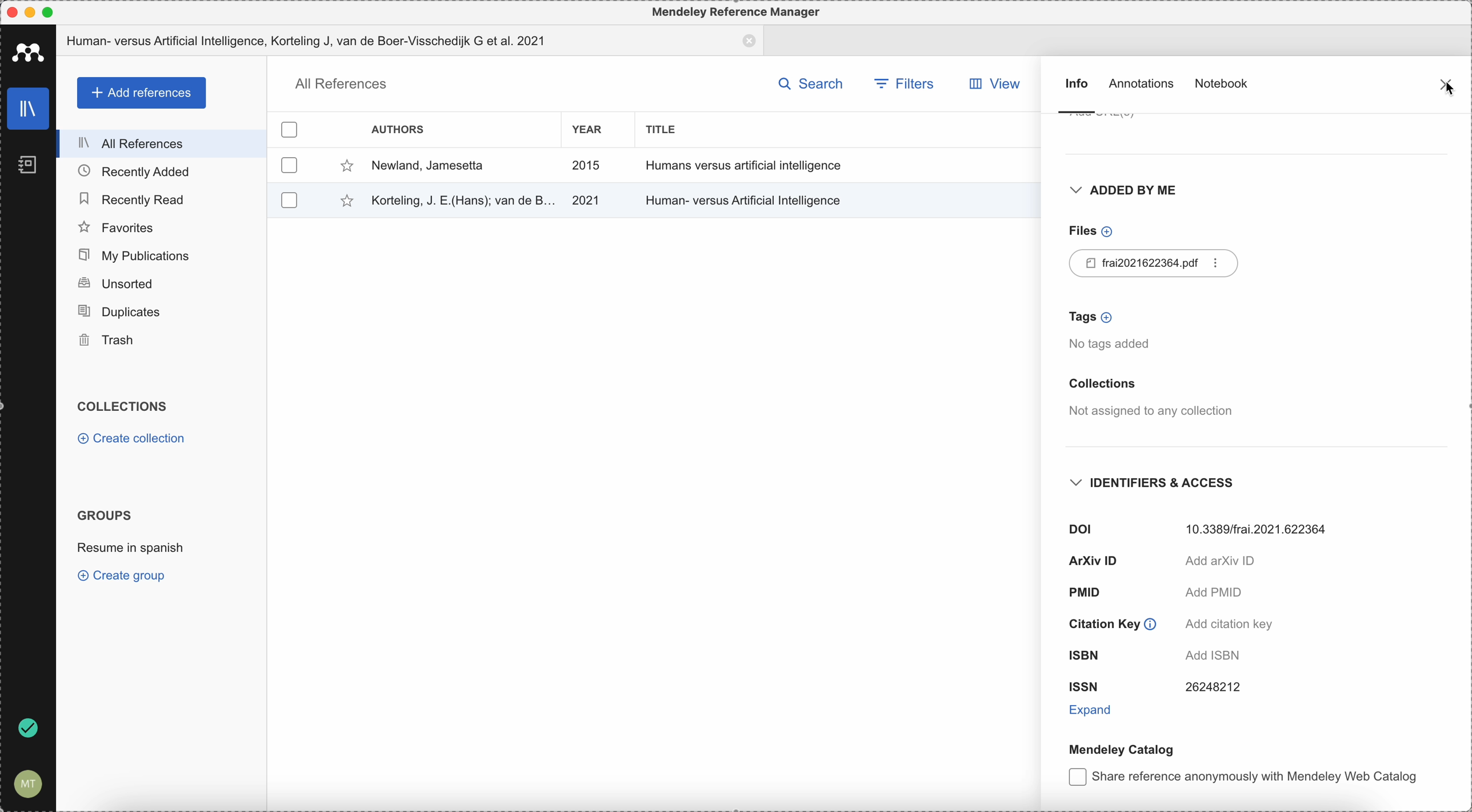 This screenshot has width=1472, height=812. Describe the element at coordinates (1120, 749) in the screenshot. I see `mendeley catalog` at that location.